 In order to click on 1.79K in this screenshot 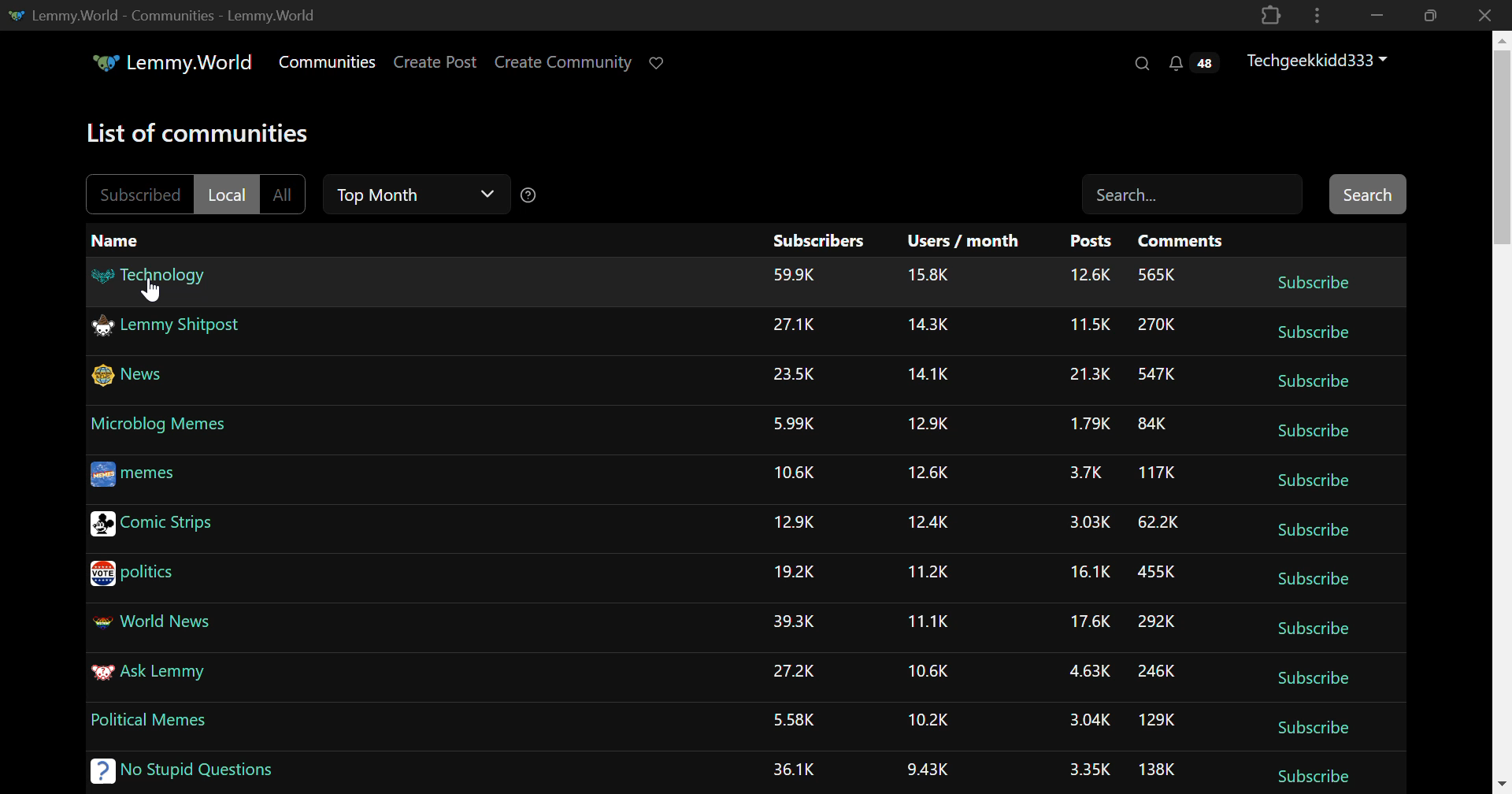, I will do `click(1086, 425)`.